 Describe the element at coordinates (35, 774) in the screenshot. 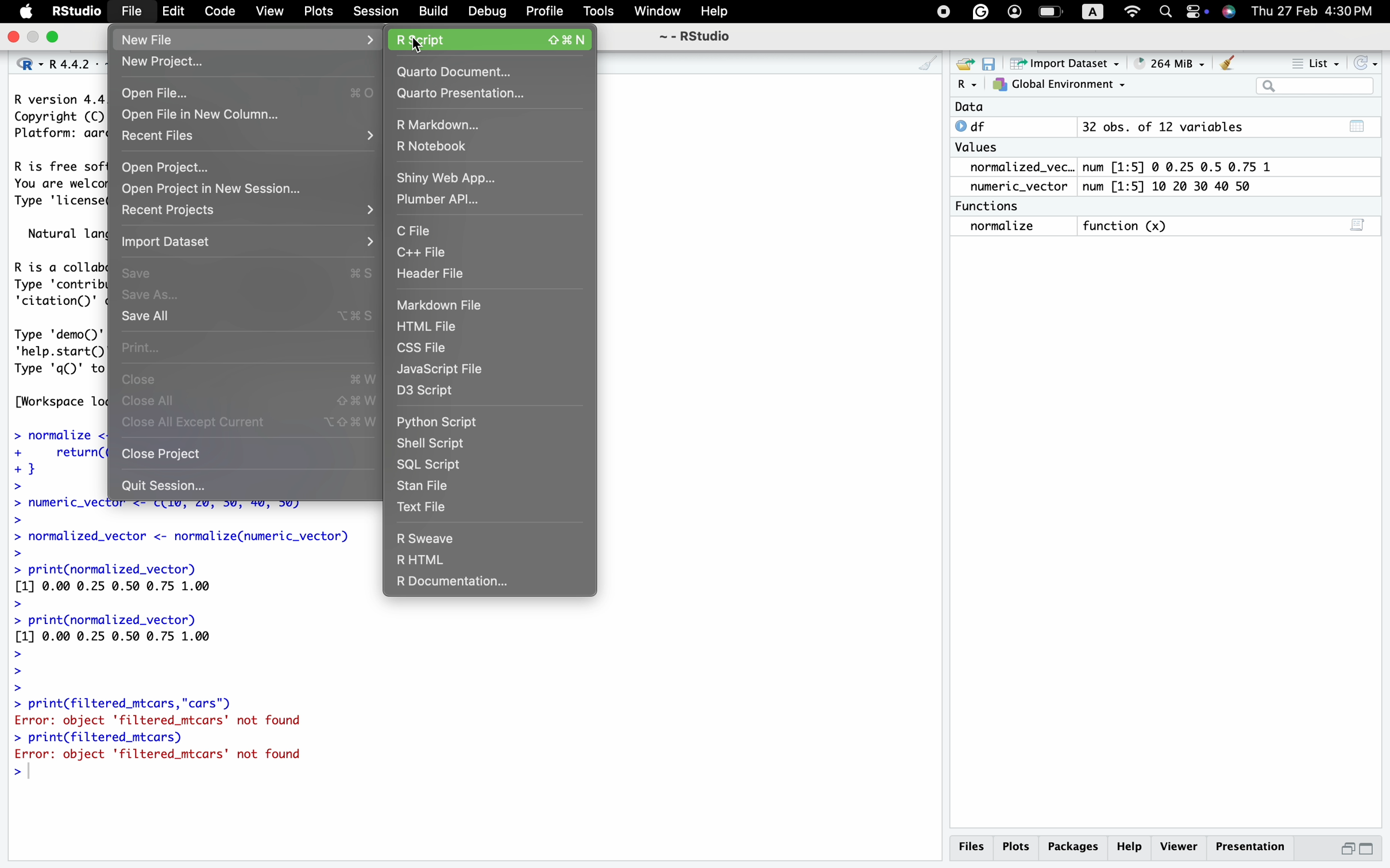

I see `typing cursor` at that location.